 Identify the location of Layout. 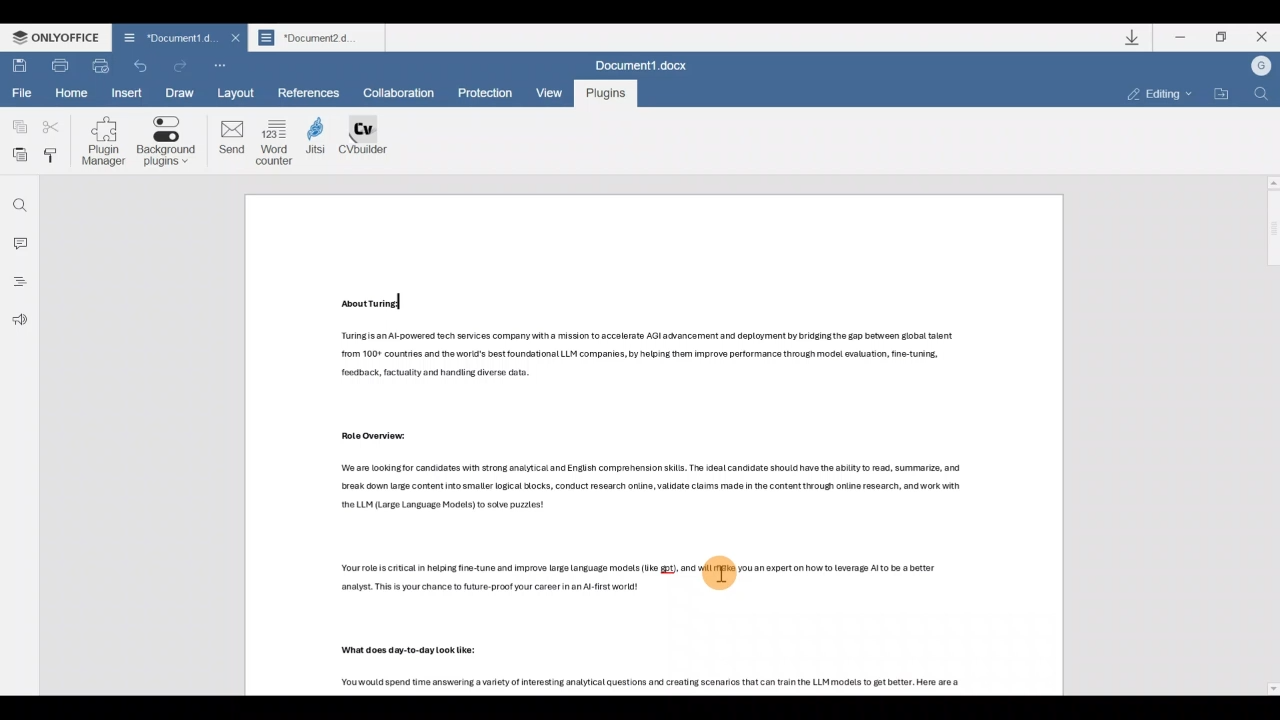
(241, 93).